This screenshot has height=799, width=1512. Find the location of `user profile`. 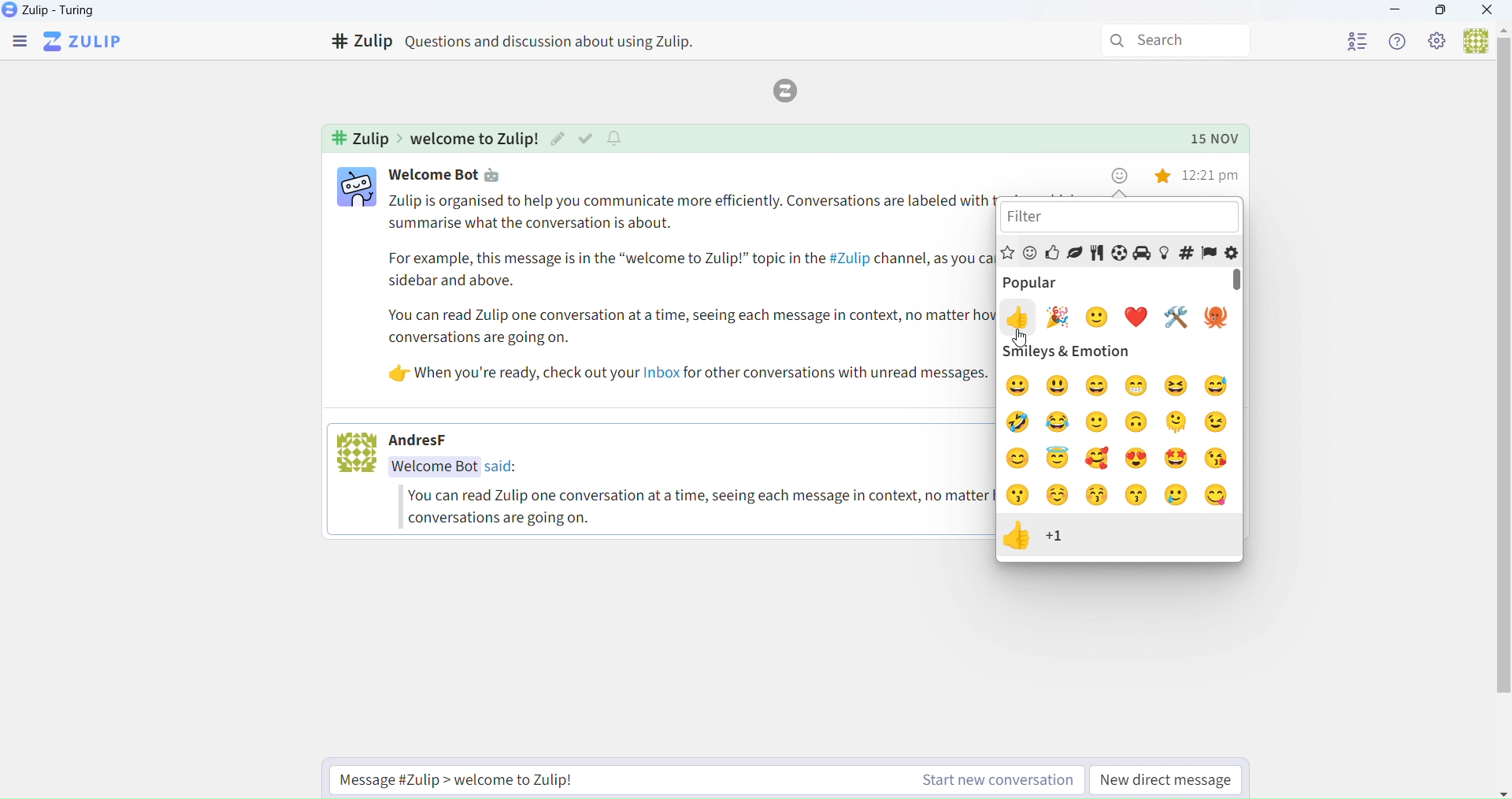

user profile is located at coordinates (355, 189).